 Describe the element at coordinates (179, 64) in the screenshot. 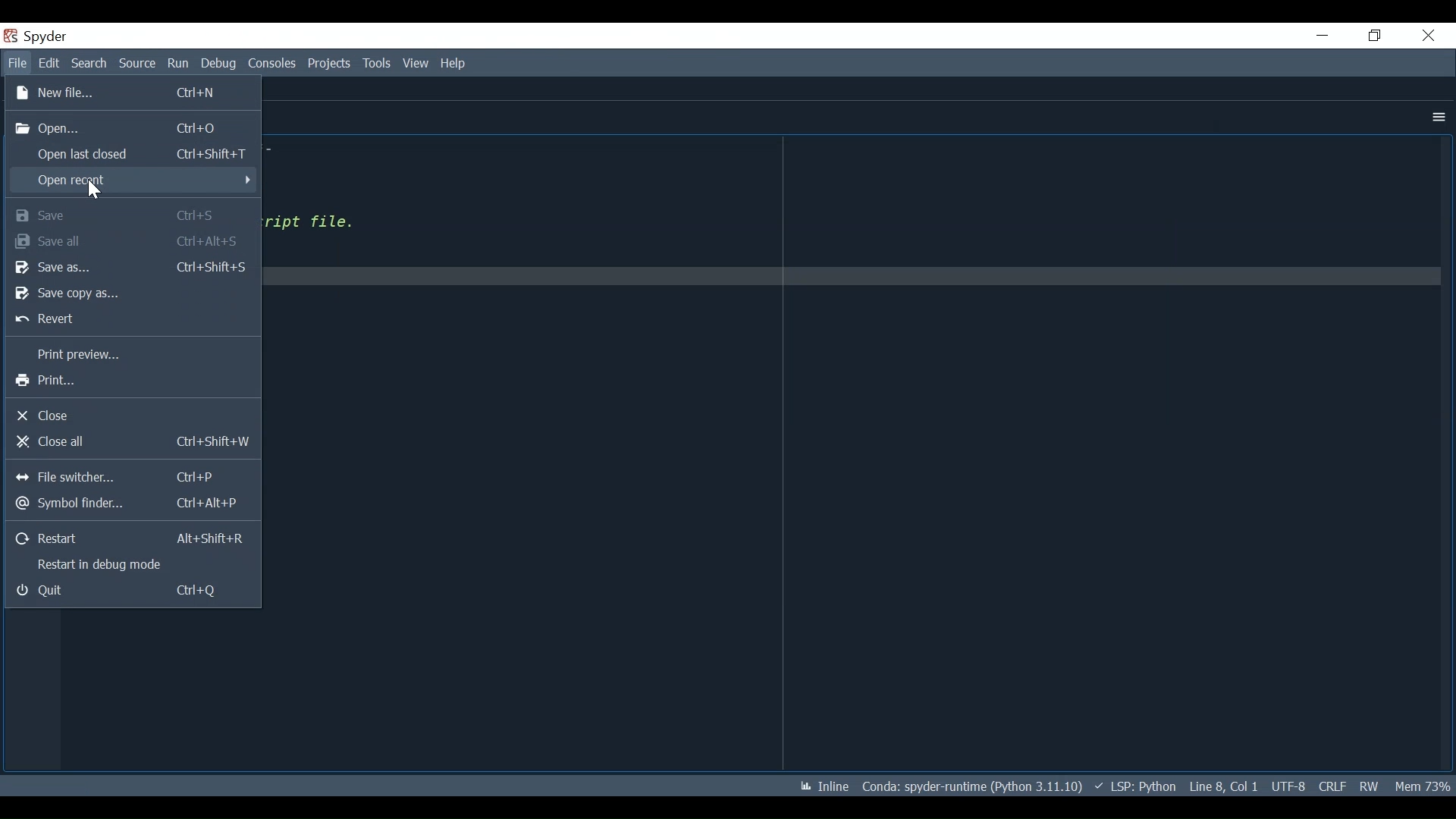

I see `Run` at that location.